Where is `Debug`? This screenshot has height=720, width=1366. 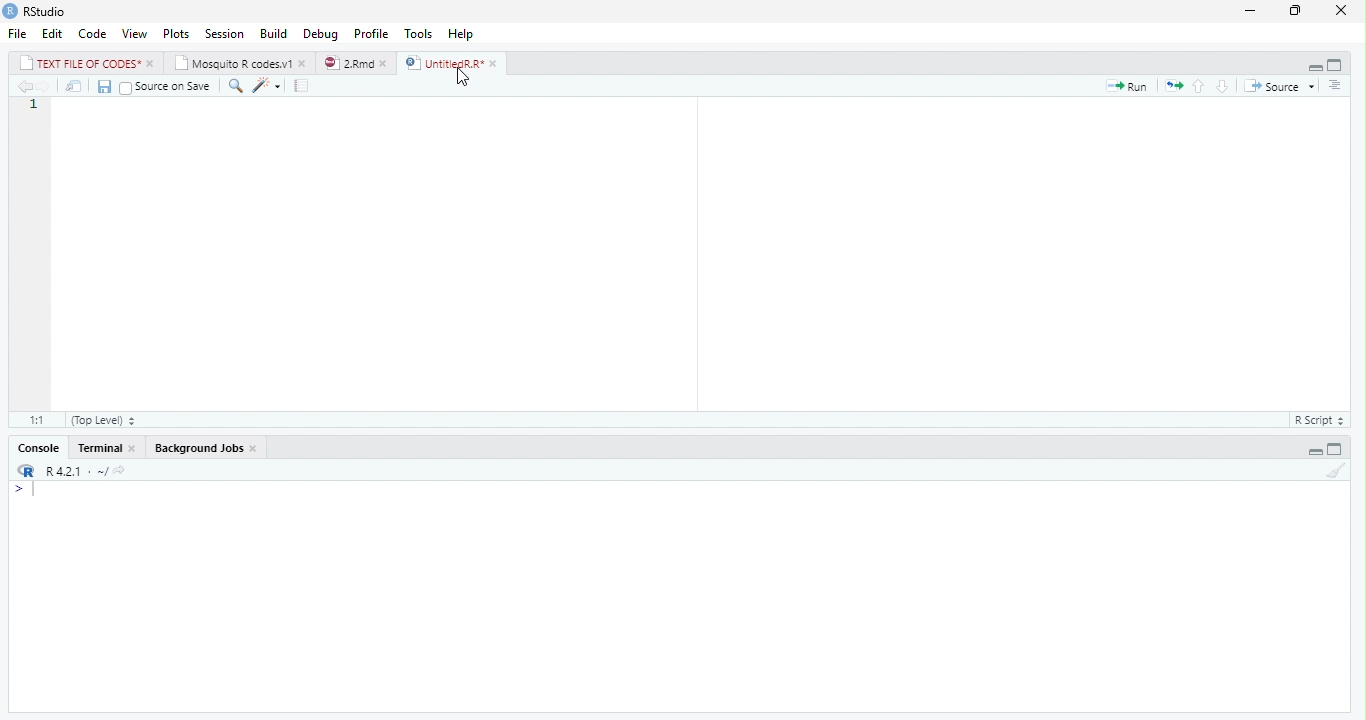 Debug is located at coordinates (321, 33).